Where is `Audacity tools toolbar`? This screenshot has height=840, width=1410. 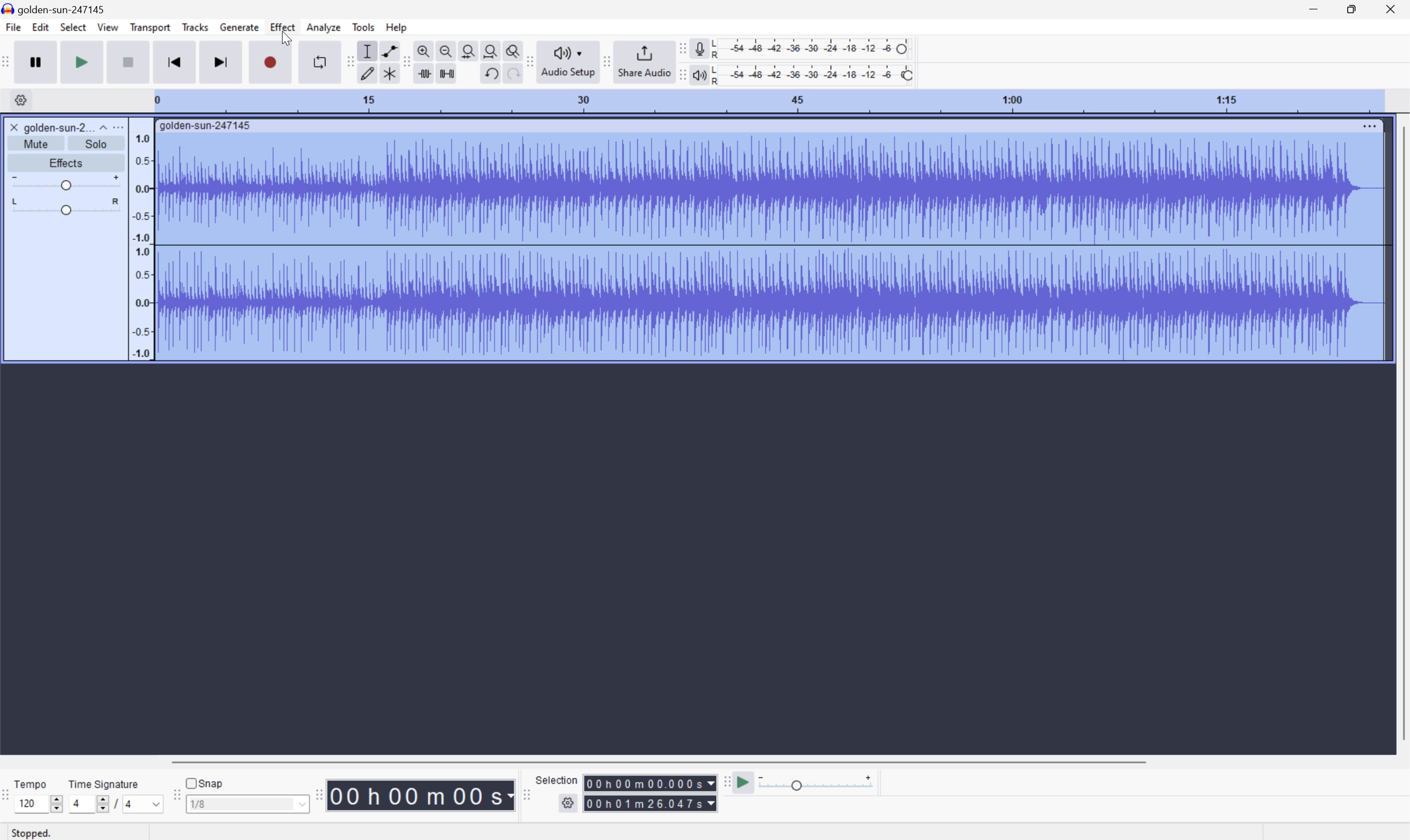 Audacity tools toolbar is located at coordinates (348, 61).